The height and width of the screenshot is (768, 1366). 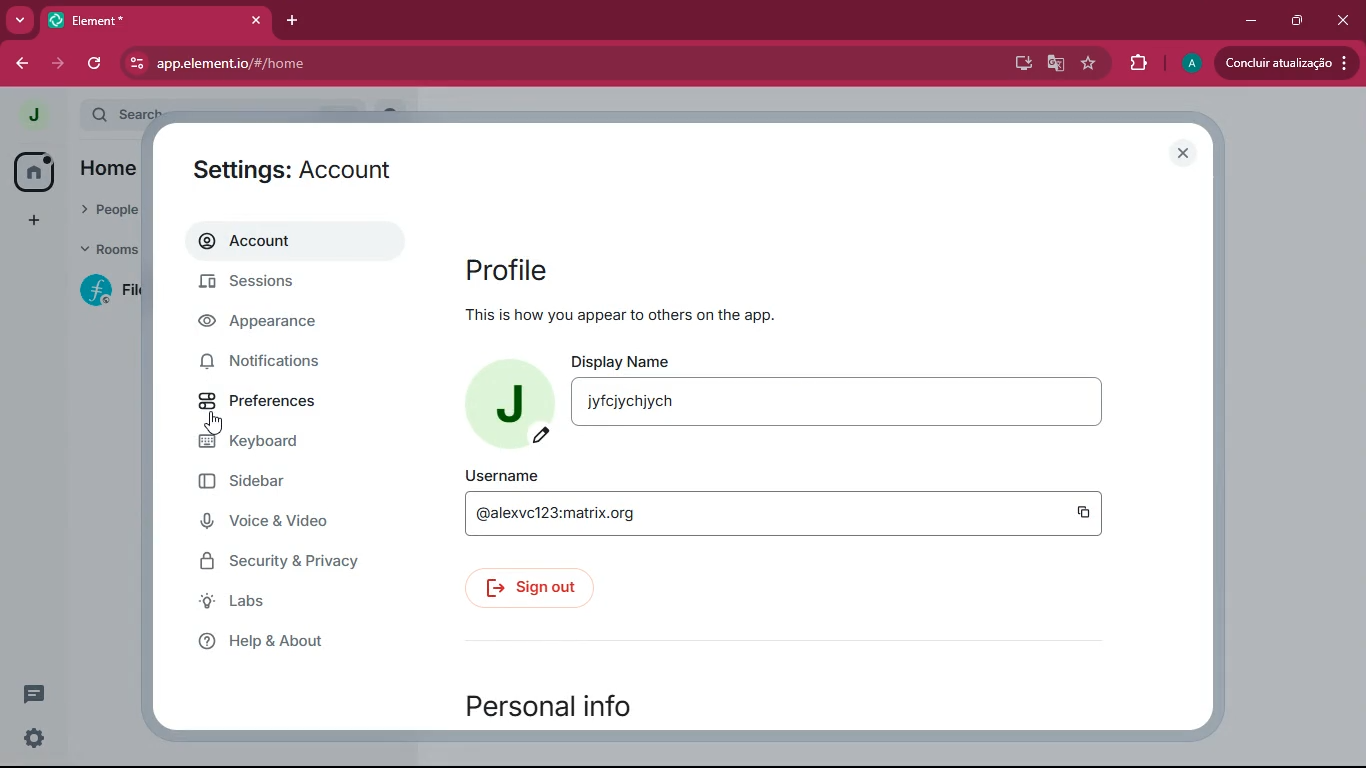 What do you see at coordinates (32, 220) in the screenshot?
I see `add` at bounding box center [32, 220].